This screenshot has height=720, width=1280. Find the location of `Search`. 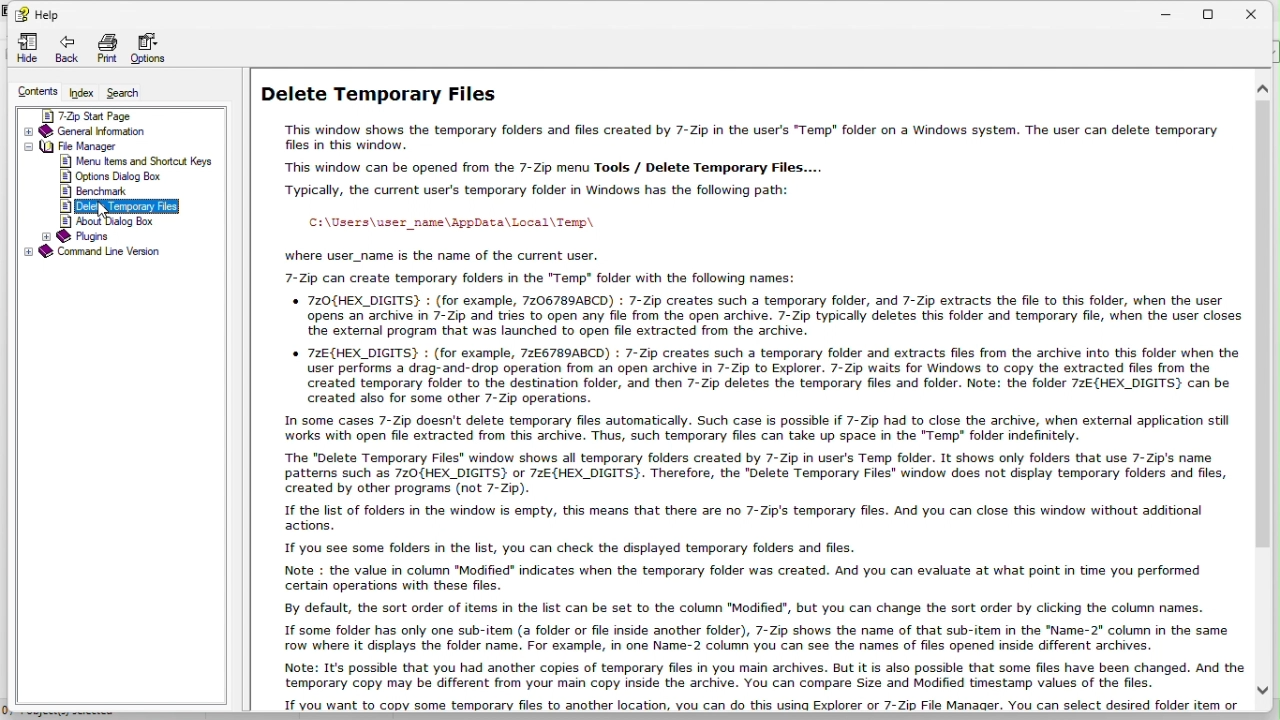

Search is located at coordinates (132, 93).